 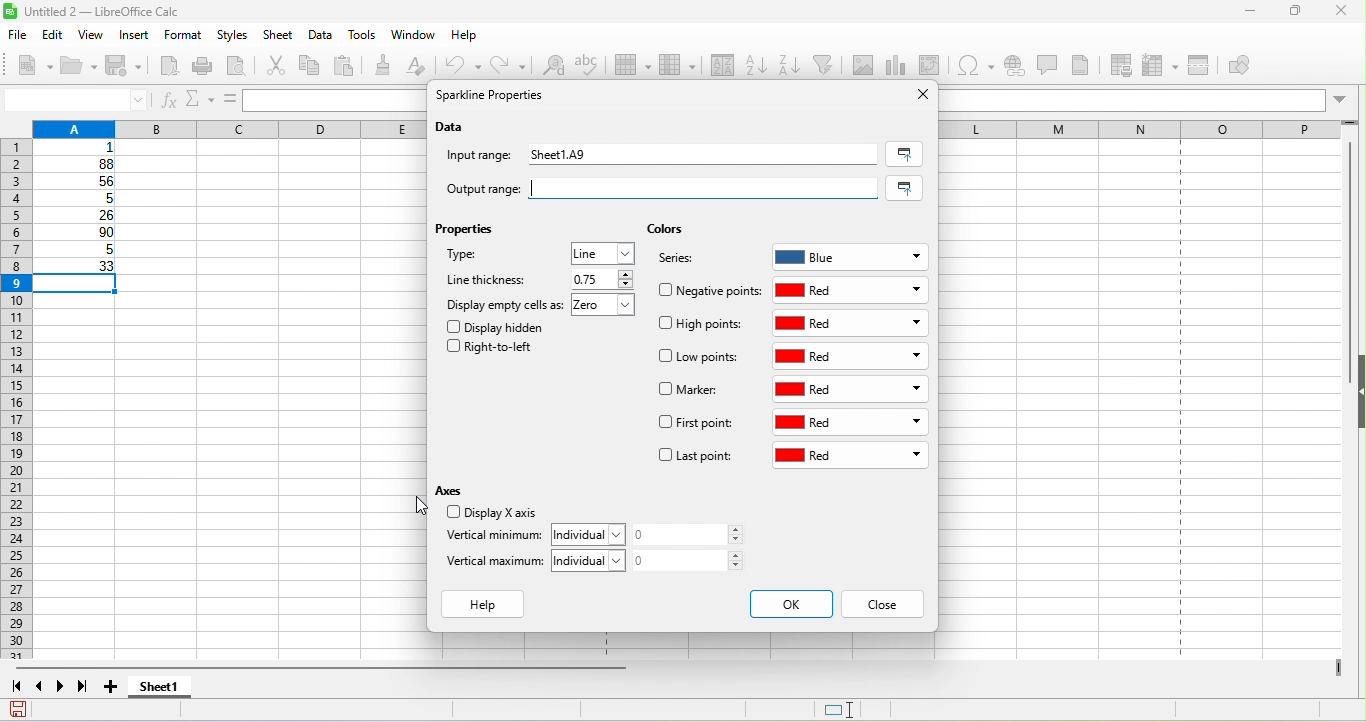 I want to click on red, so click(x=853, y=357).